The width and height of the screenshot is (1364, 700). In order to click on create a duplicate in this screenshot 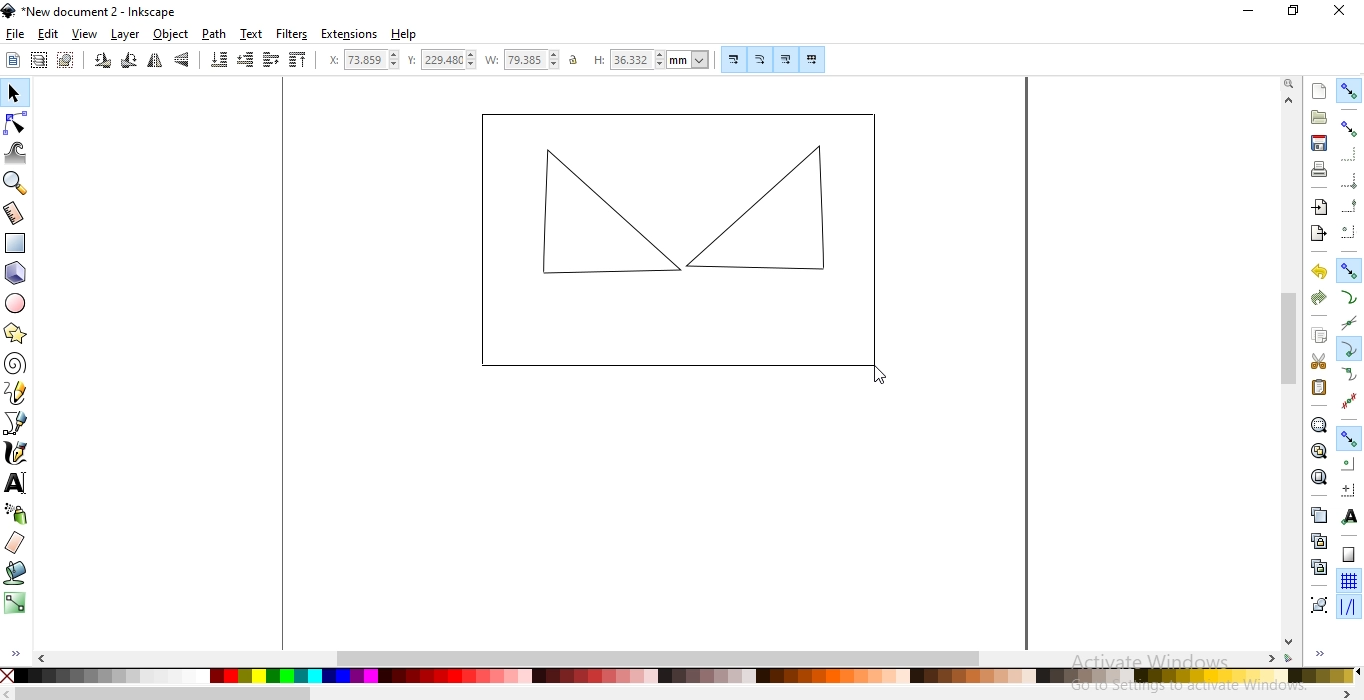, I will do `click(1318, 515)`.